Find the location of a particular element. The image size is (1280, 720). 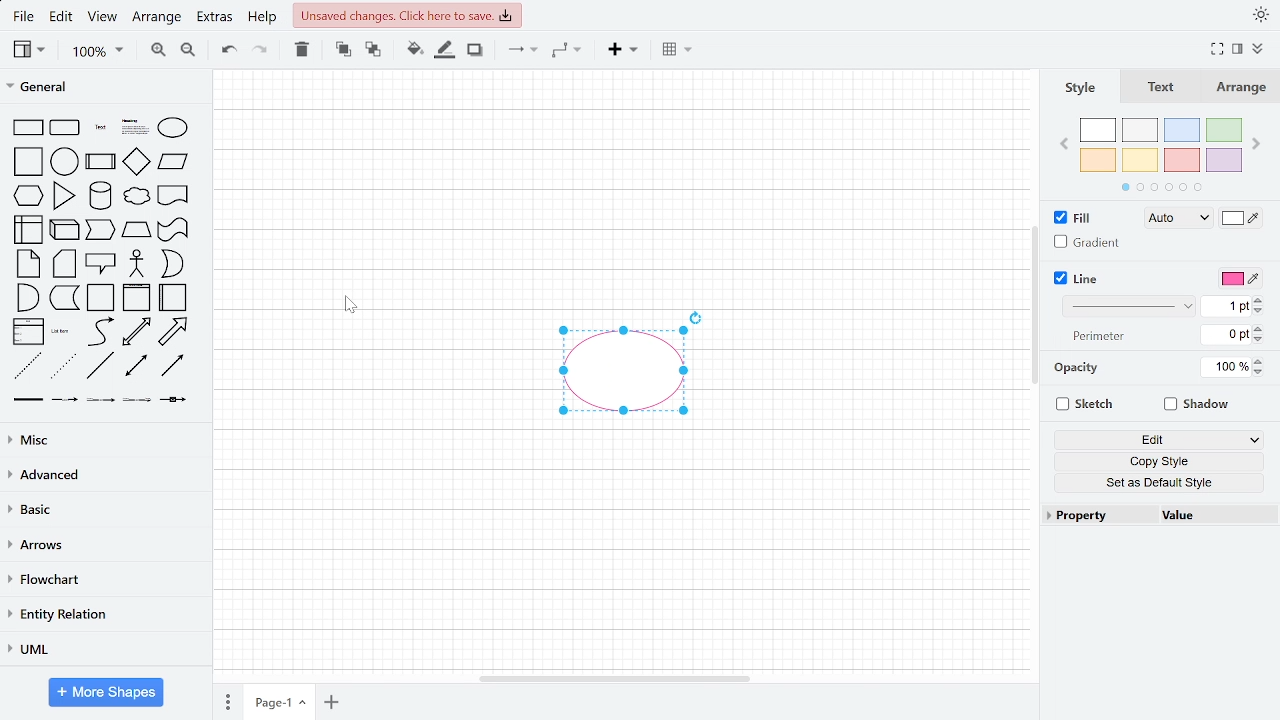

shadow is located at coordinates (475, 50).